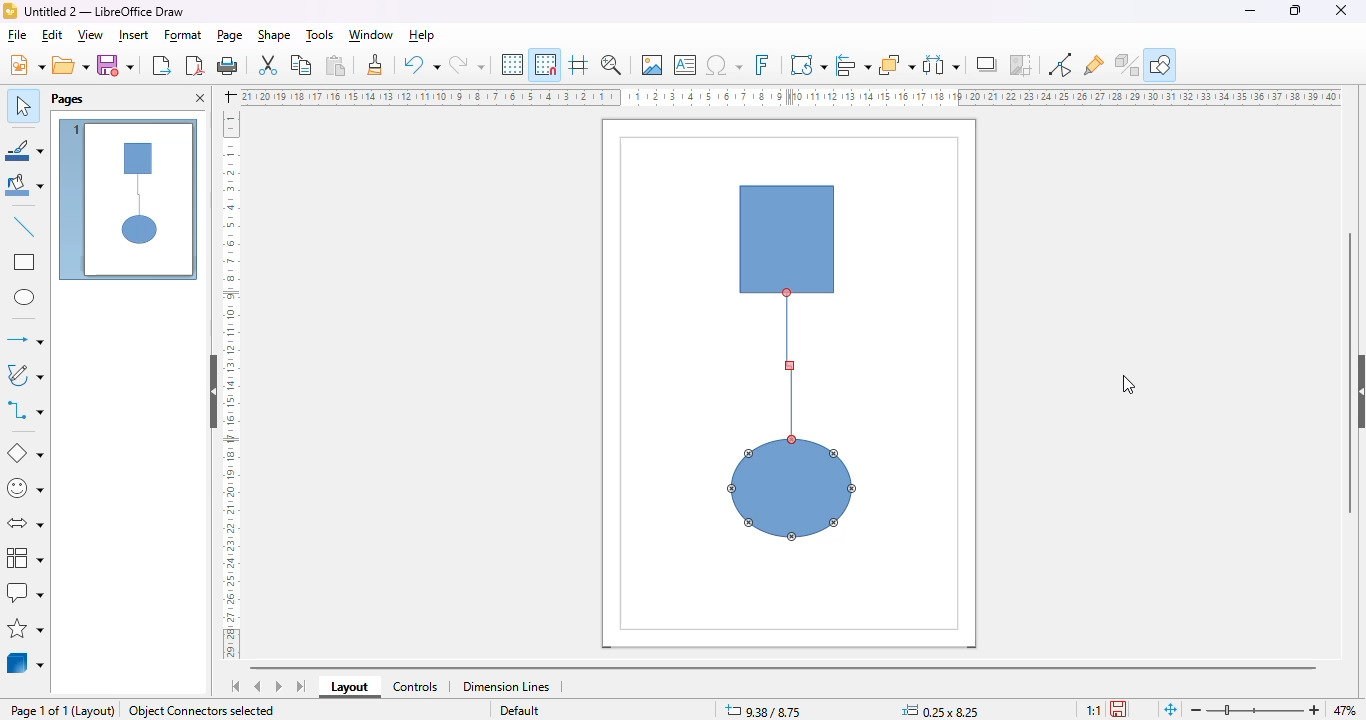  What do you see at coordinates (27, 64) in the screenshot?
I see `new` at bounding box center [27, 64].